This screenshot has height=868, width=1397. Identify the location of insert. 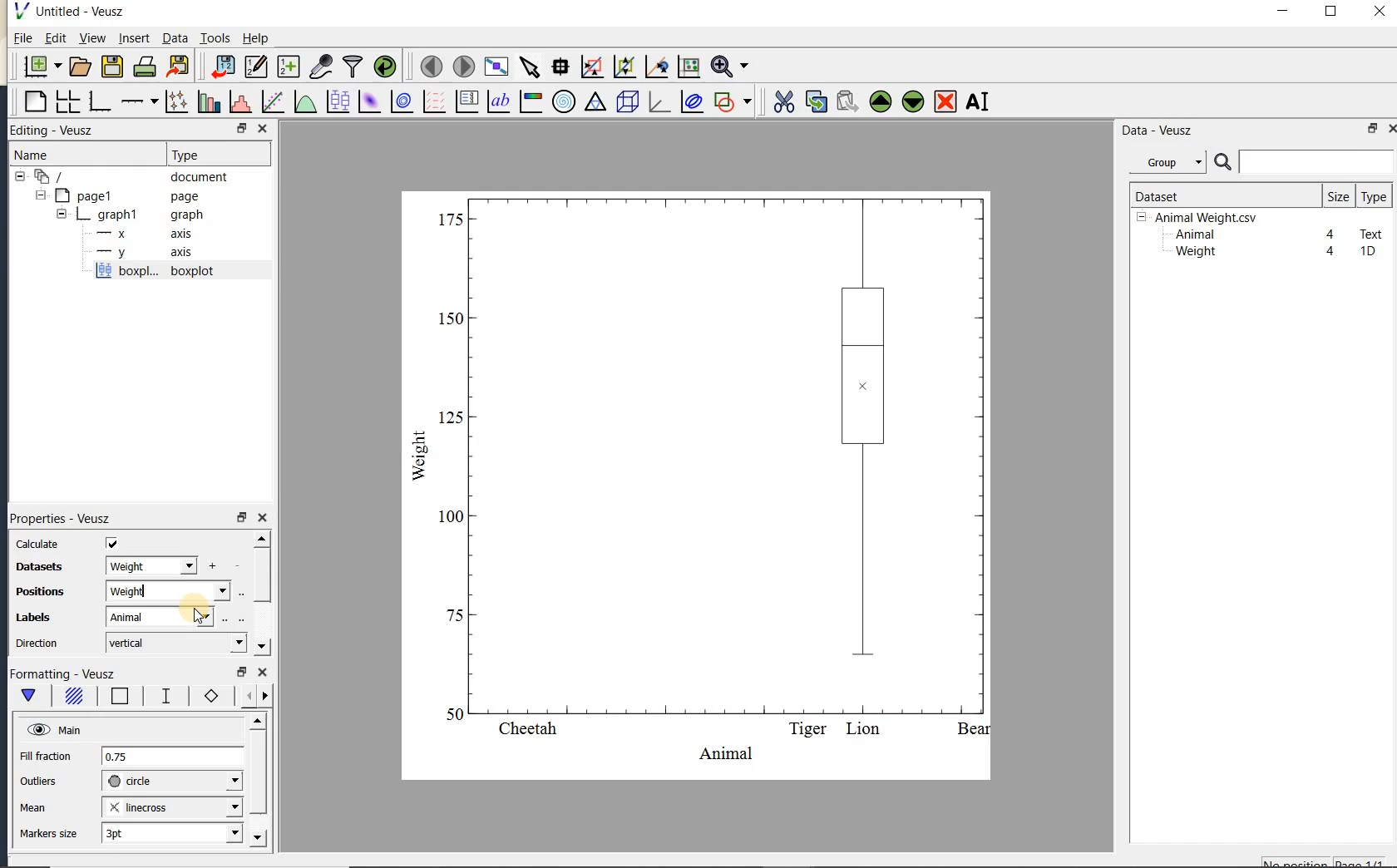
(134, 37).